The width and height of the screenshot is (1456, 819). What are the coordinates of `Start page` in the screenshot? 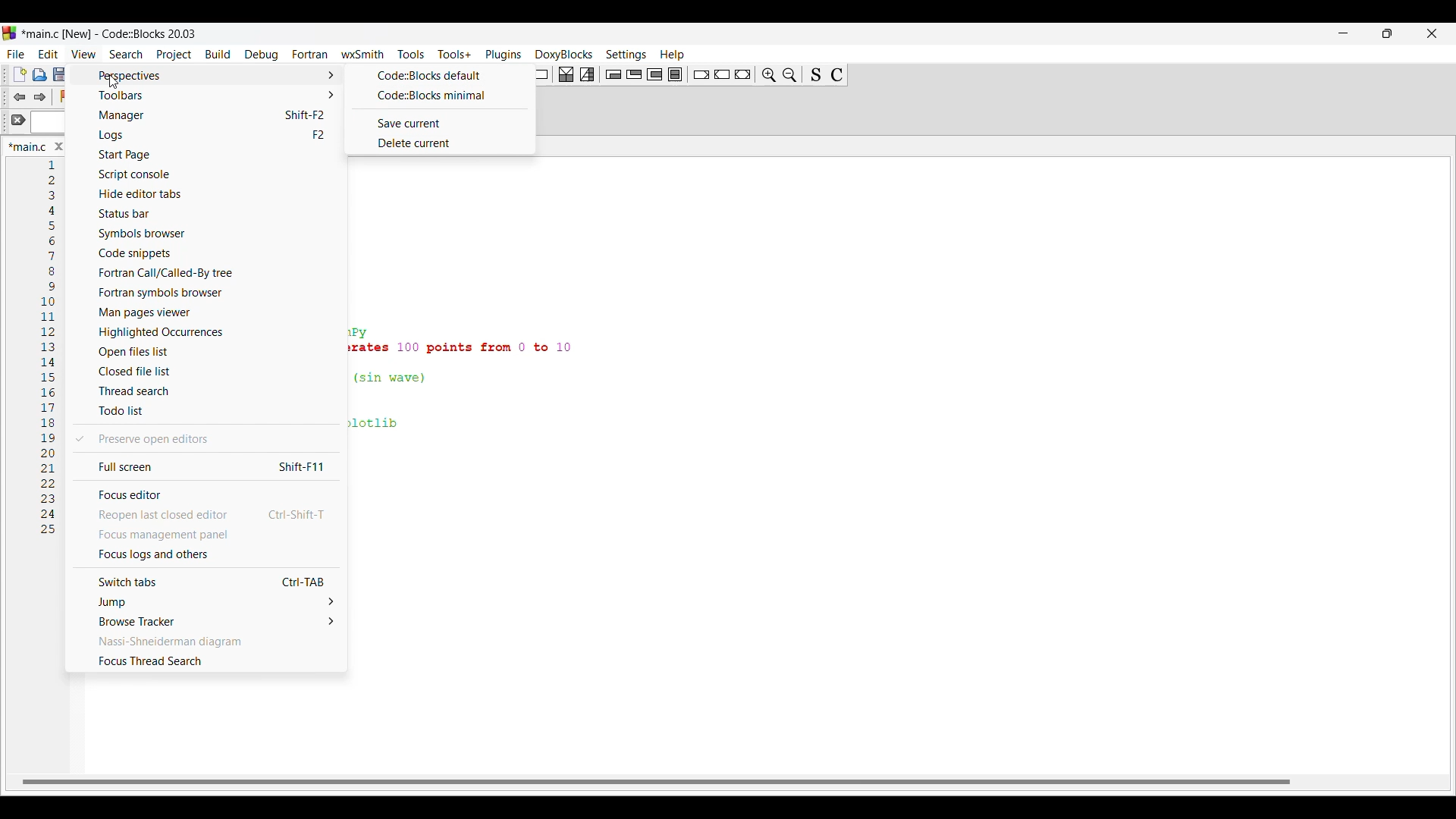 It's located at (209, 155).